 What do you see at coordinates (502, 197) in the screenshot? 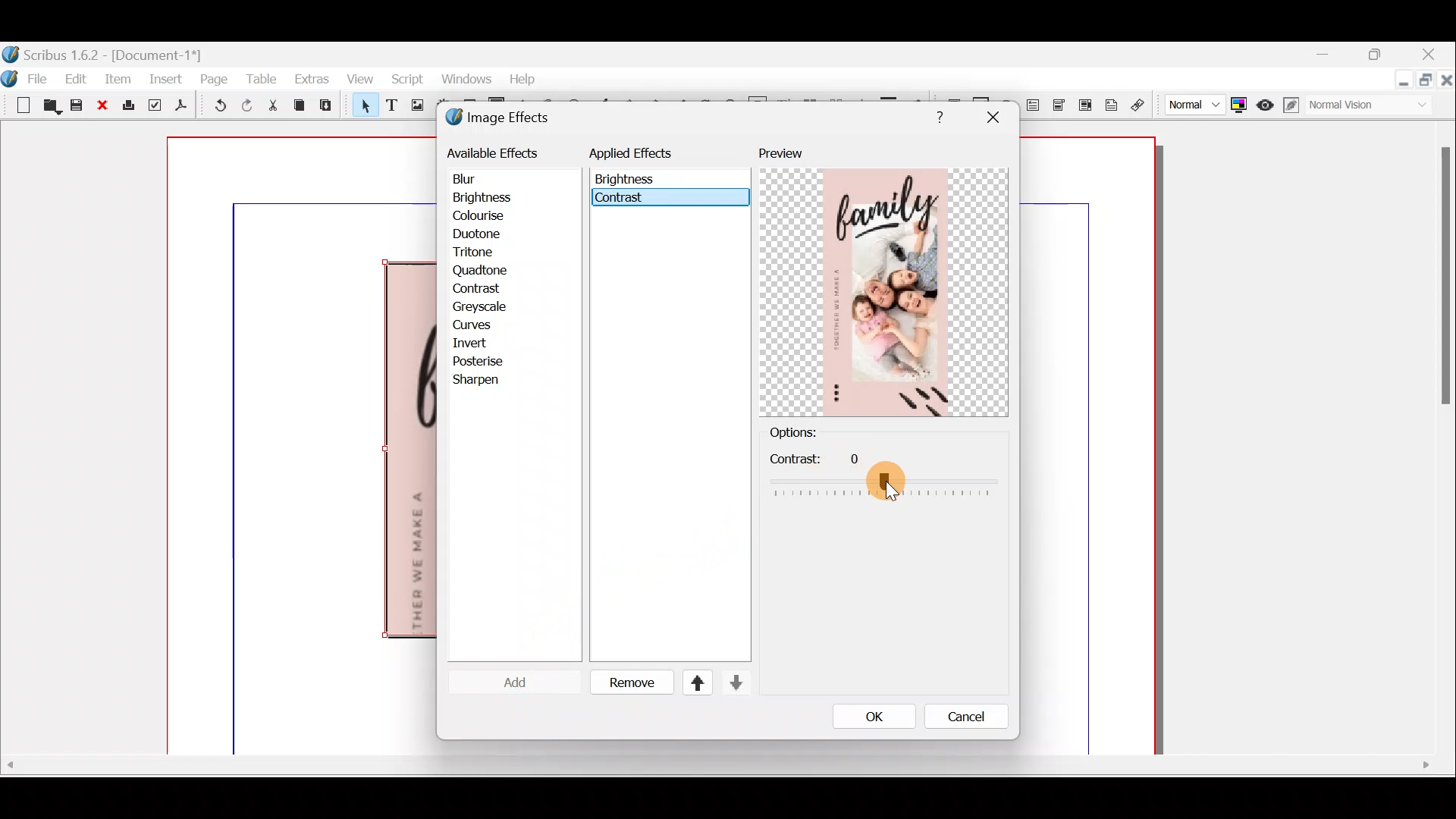
I see `Brightness` at bounding box center [502, 197].